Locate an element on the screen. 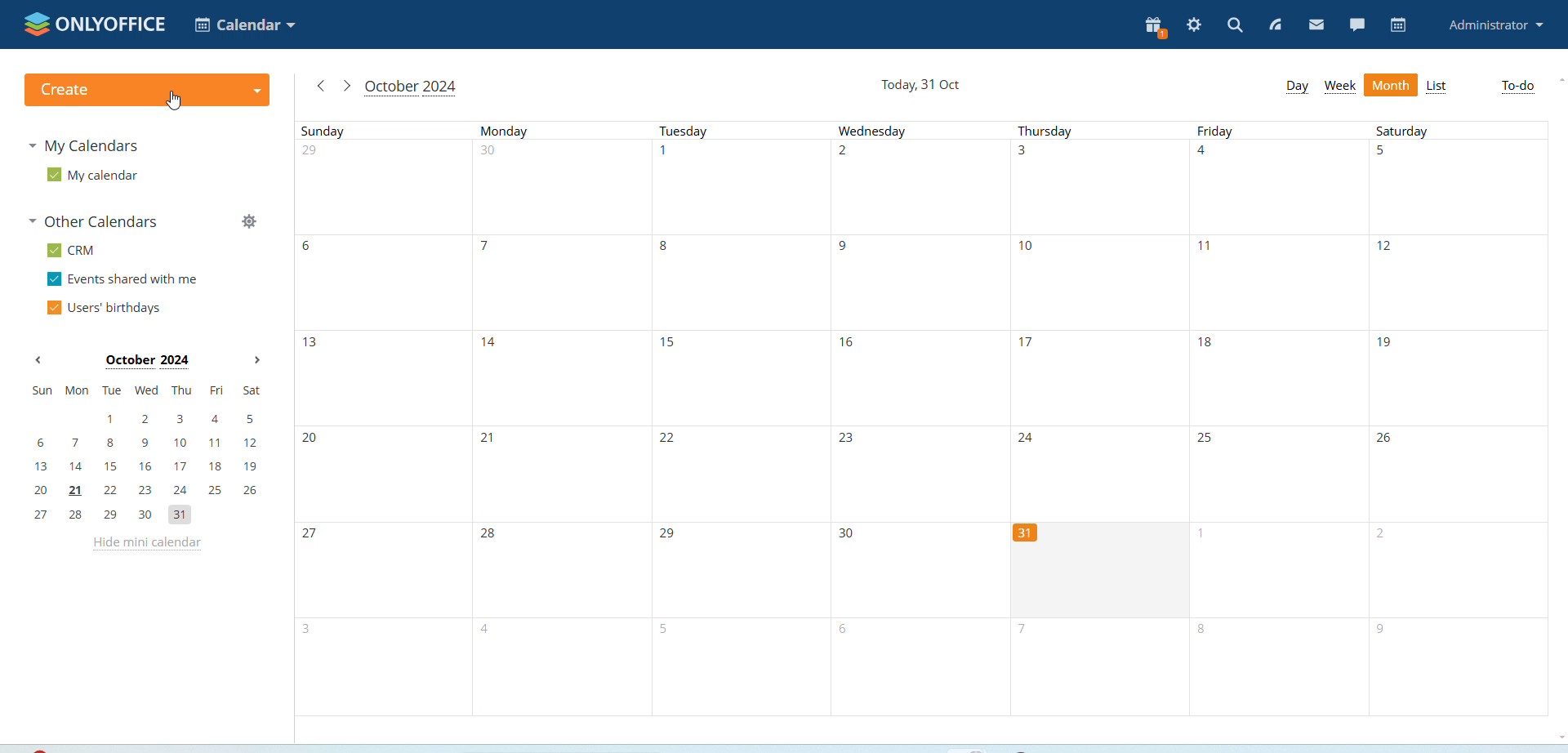 Image resolution: width=1568 pixels, height=753 pixels. mini calendar is located at coordinates (149, 455).